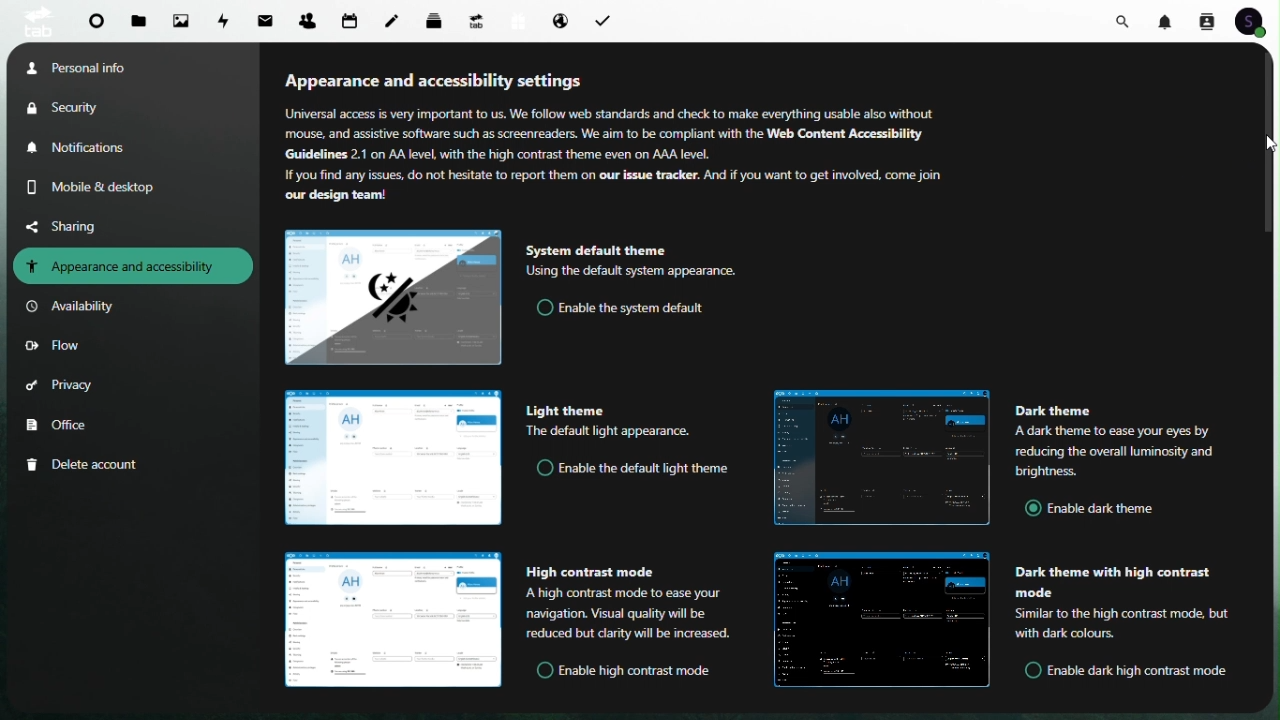 The height and width of the screenshot is (720, 1280). What do you see at coordinates (1123, 623) in the screenshot?
I see `Similar to the high contrast mode, but with dark colours` at bounding box center [1123, 623].